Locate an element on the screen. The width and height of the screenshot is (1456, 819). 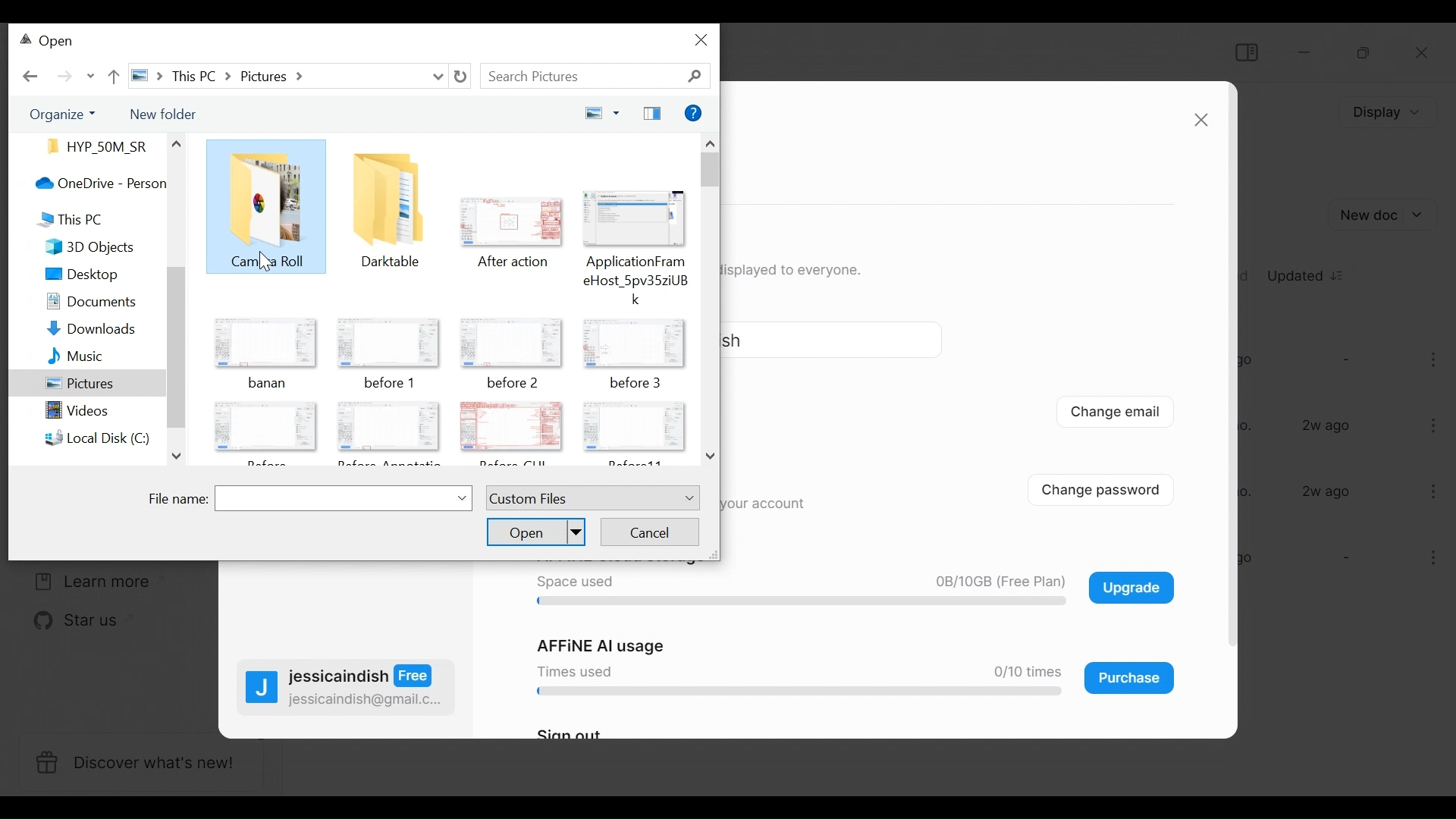
icon is located at coordinates (632, 339).